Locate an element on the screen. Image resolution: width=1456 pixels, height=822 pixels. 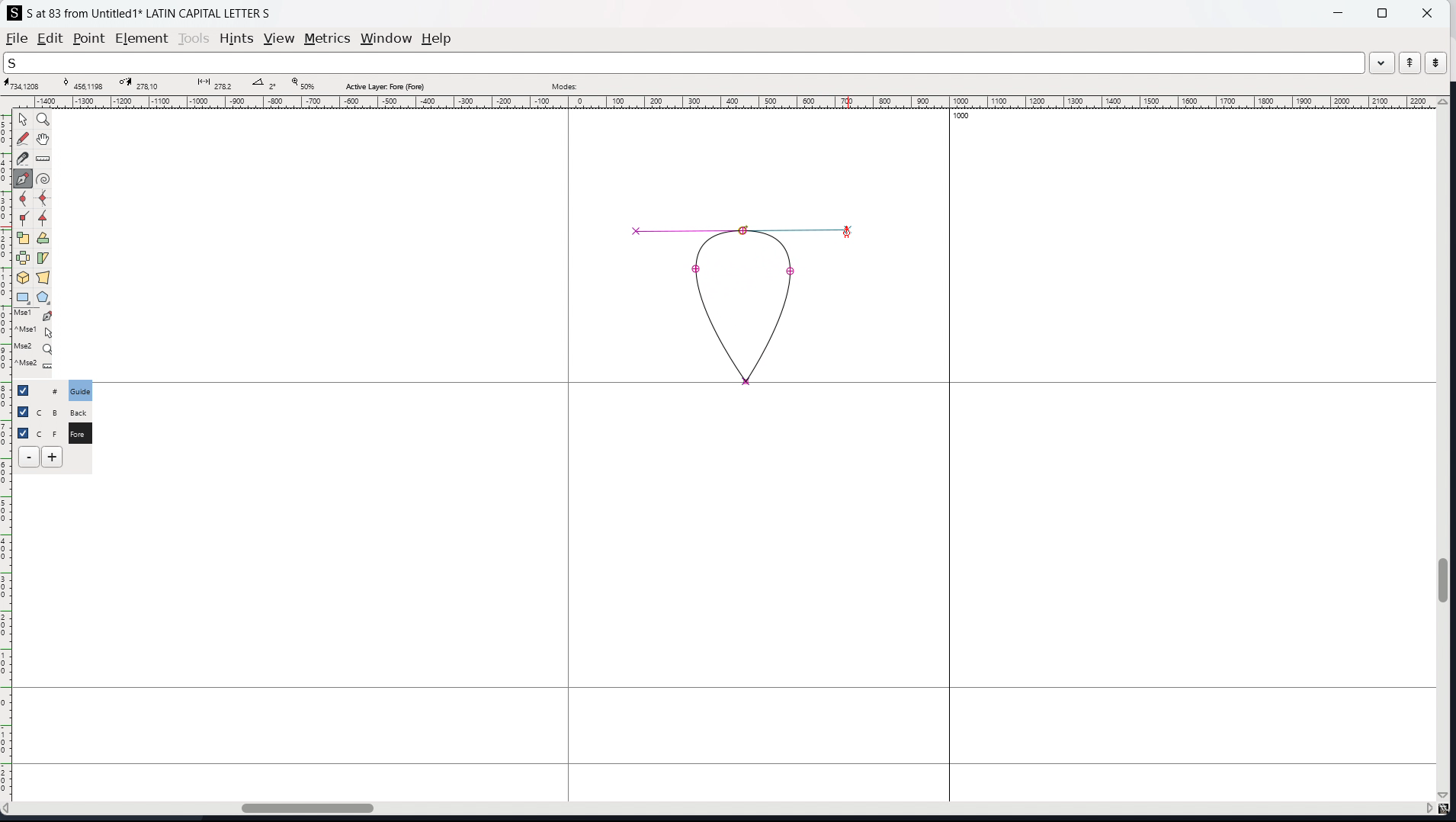
view is located at coordinates (279, 39).